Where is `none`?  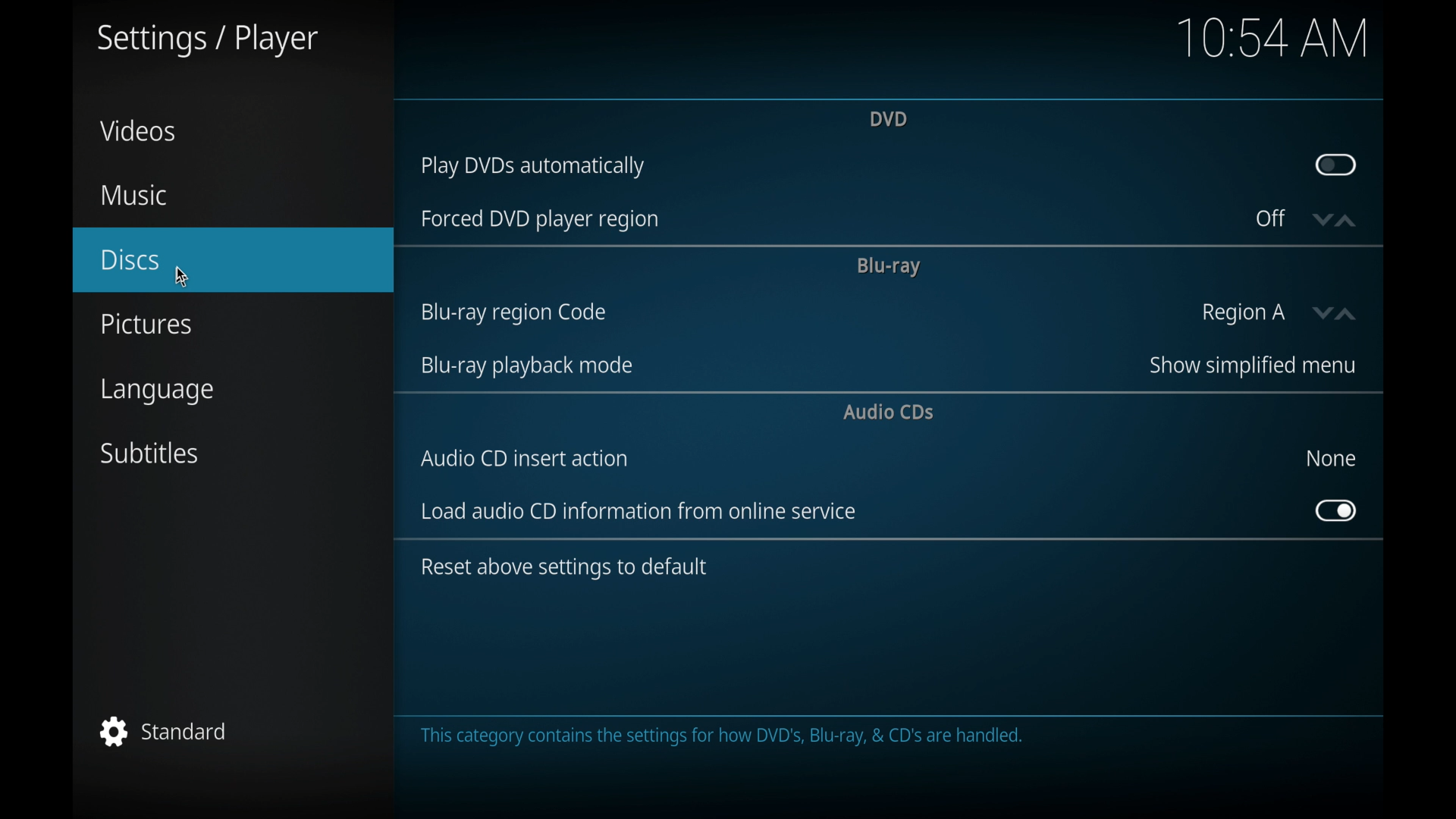 none is located at coordinates (1330, 458).